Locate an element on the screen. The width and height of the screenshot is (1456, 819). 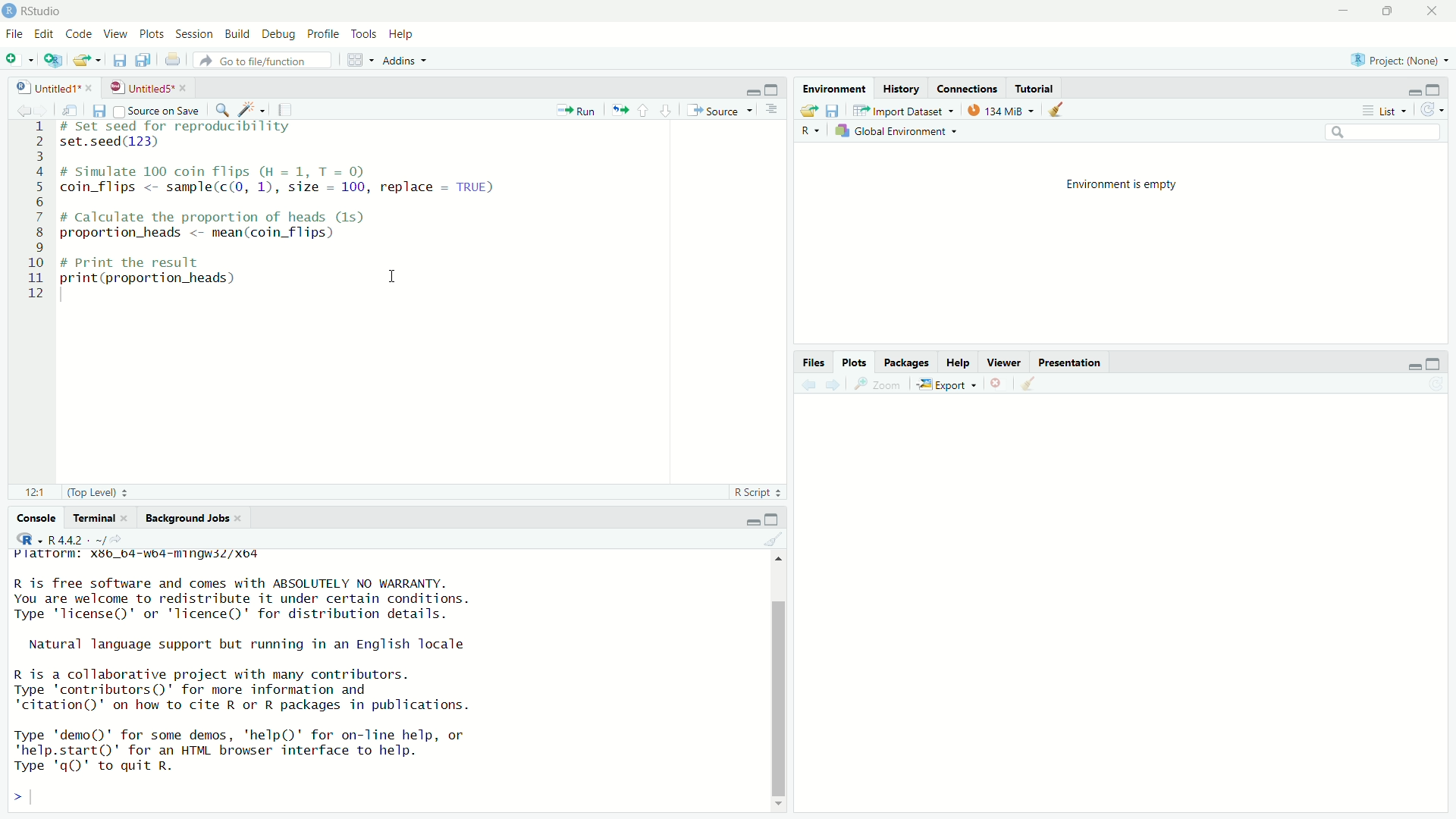
maximize is located at coordinates (775, 89).